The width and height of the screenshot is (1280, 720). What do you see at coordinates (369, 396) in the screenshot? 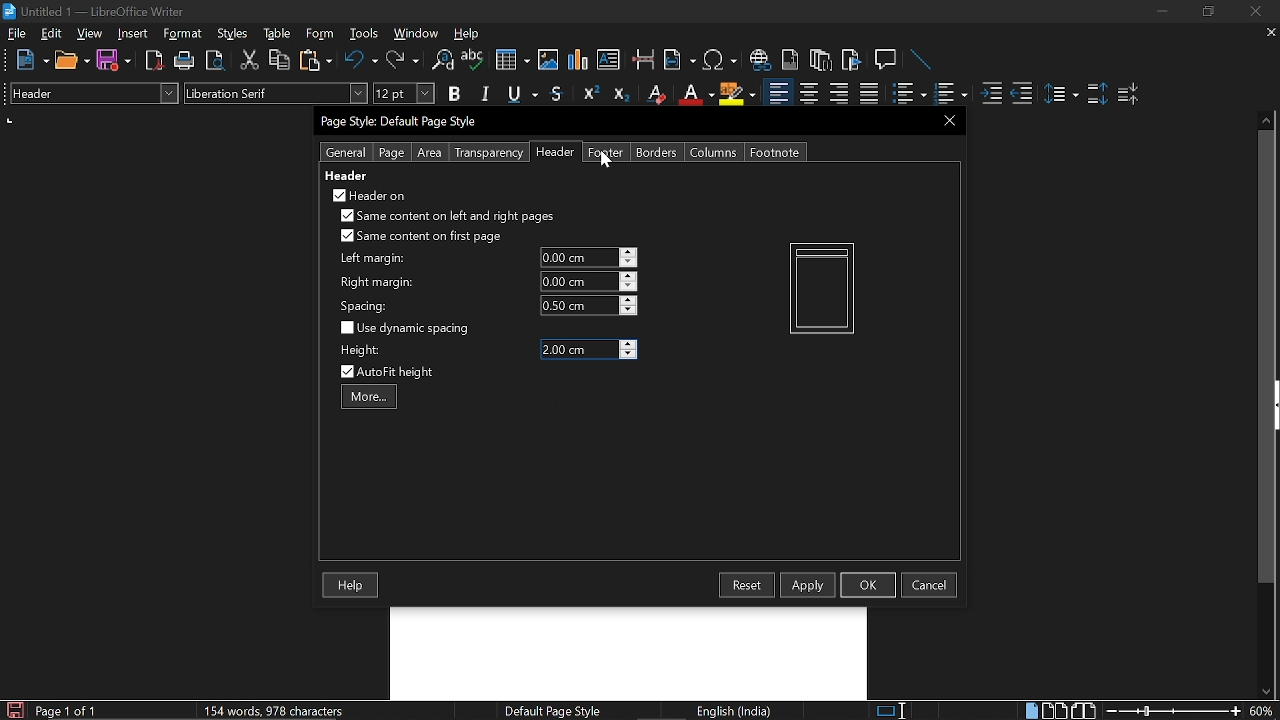
I see `more` at bounding box center [369, 396].